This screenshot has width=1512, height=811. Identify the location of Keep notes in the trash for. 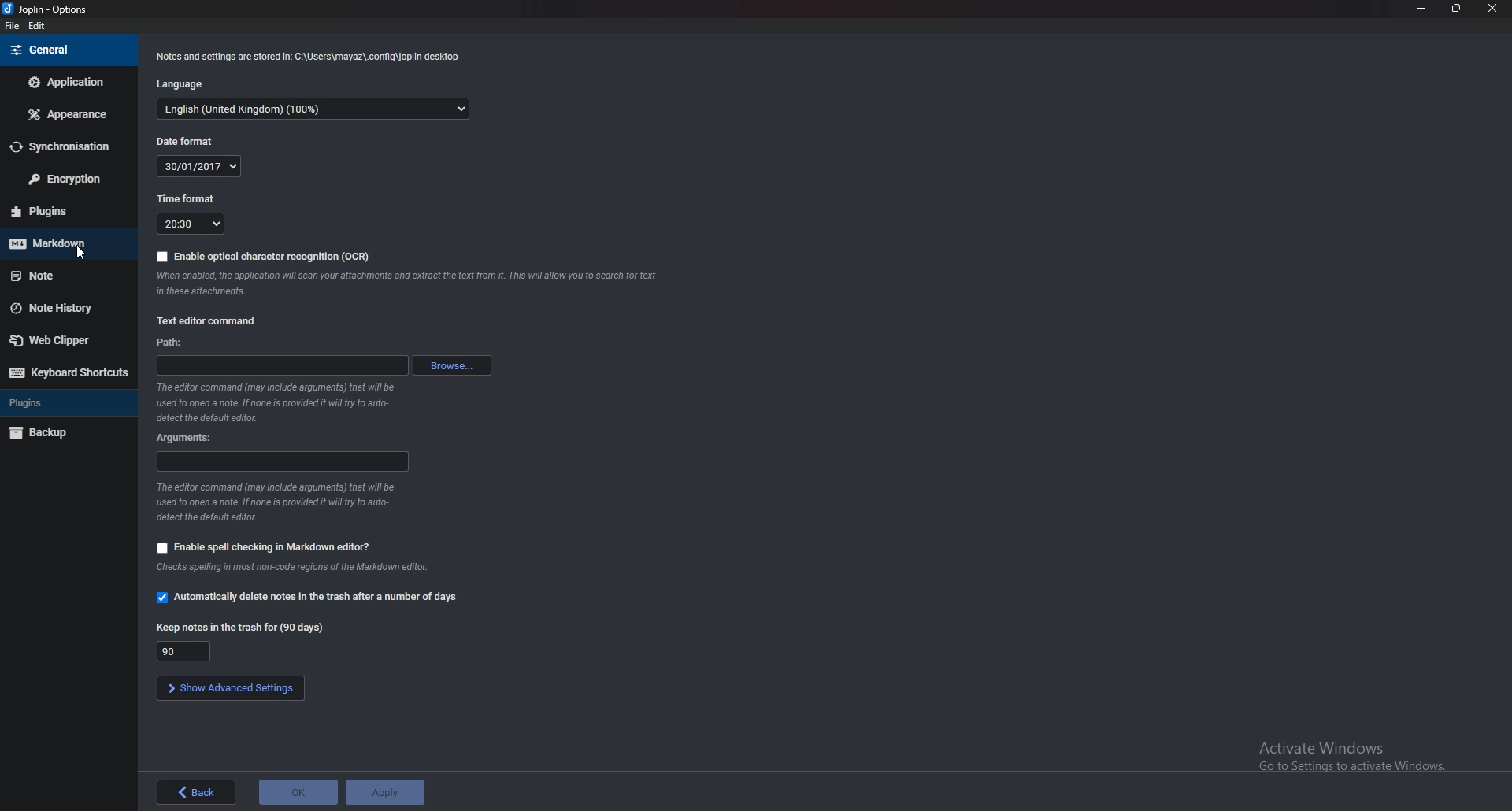
(243, 626).